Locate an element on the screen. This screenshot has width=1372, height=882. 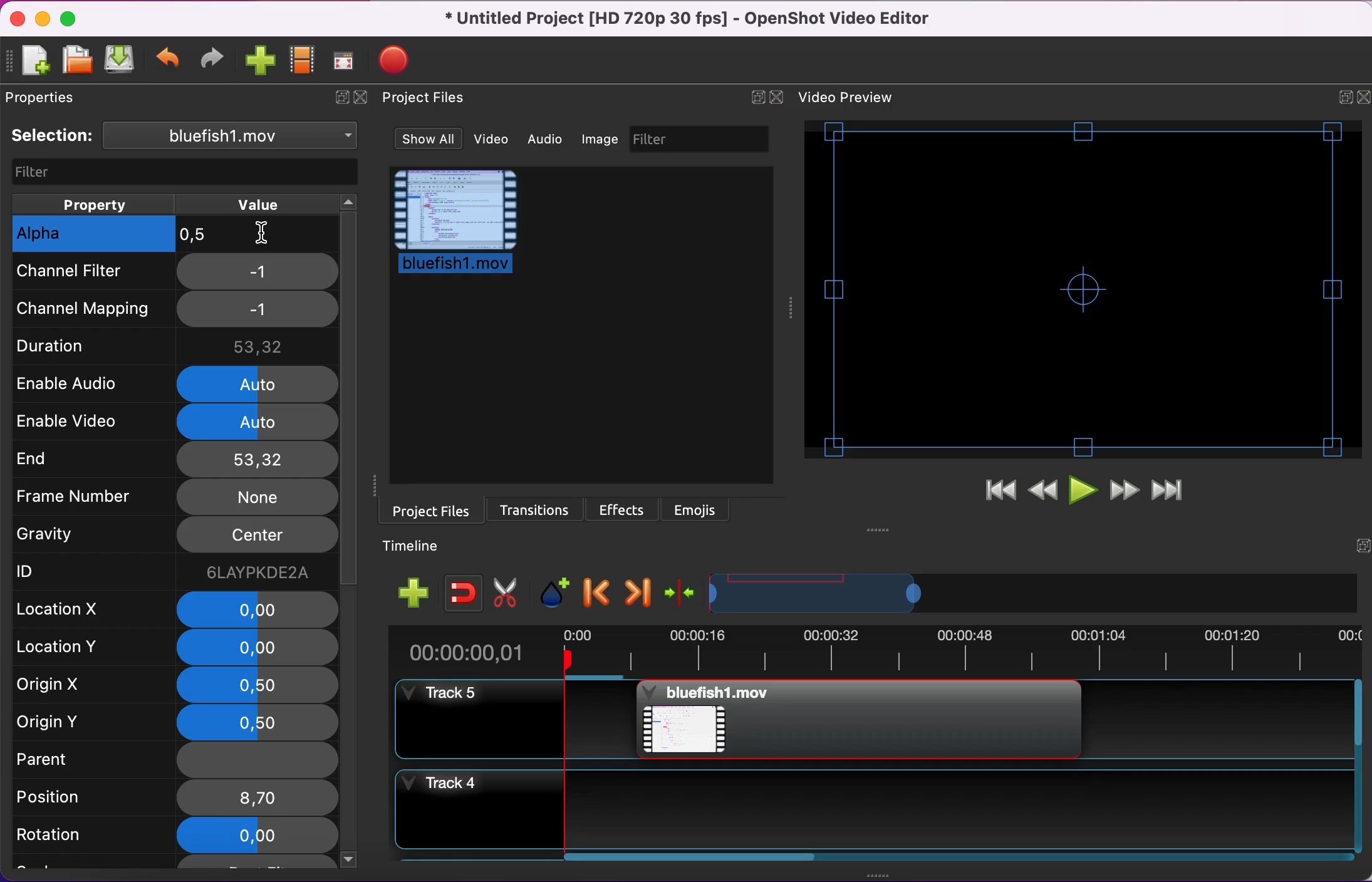
fast forward is located at coordinates (1126, 490).